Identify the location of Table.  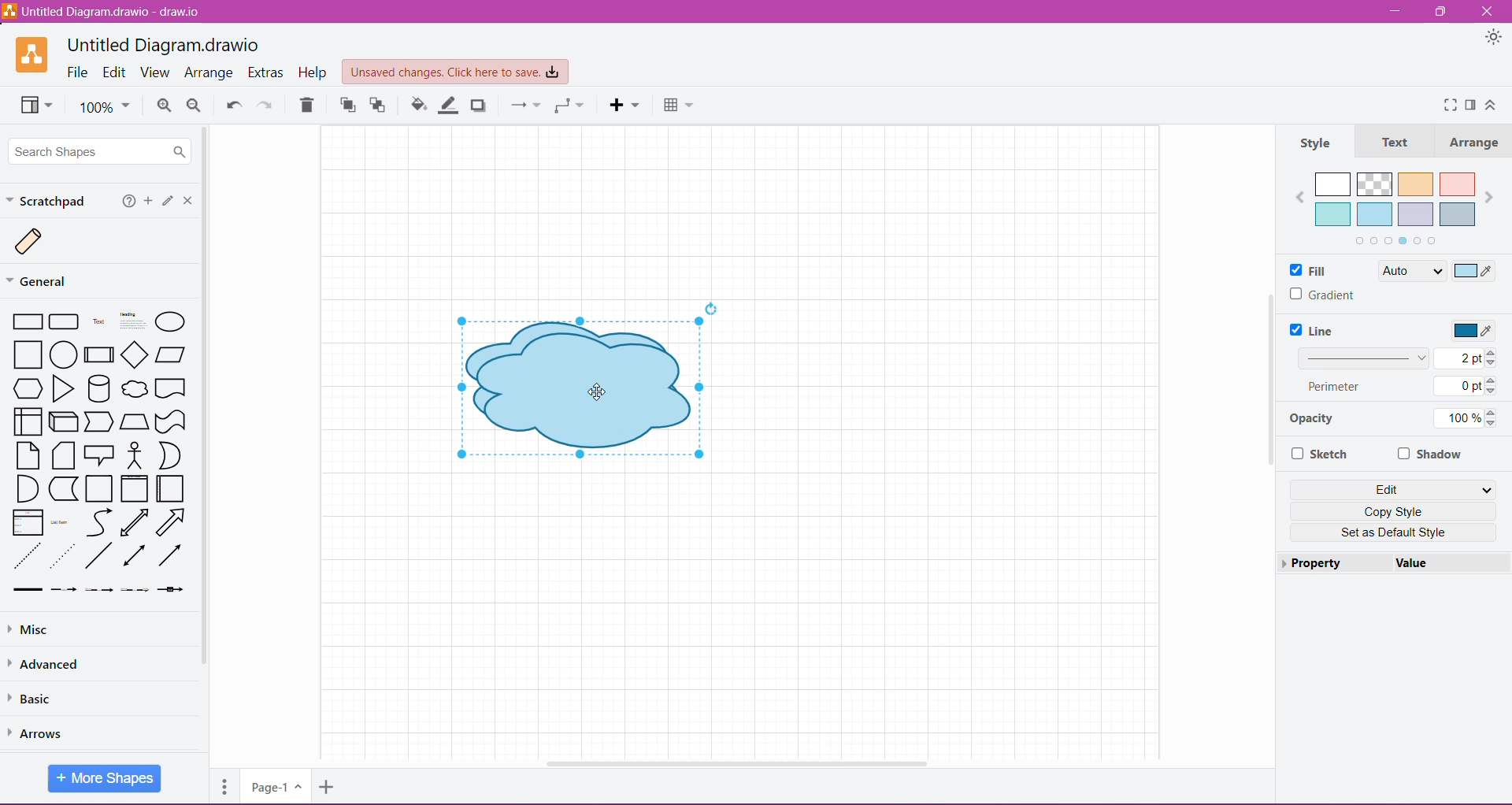
(678, 106).